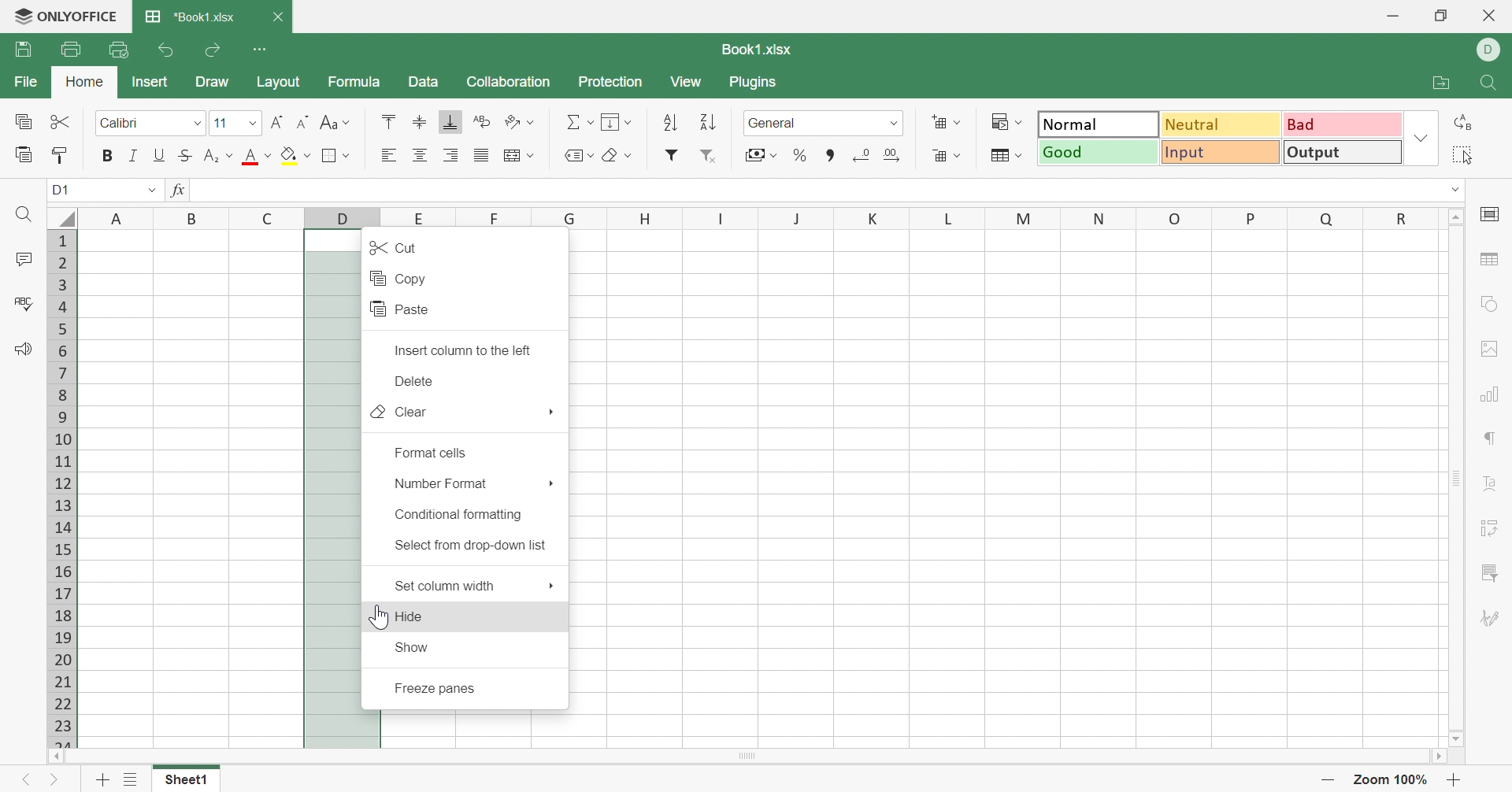 This screenshot has height=792, width=1512. I want to click on Drop Down, so click(1425, 134).